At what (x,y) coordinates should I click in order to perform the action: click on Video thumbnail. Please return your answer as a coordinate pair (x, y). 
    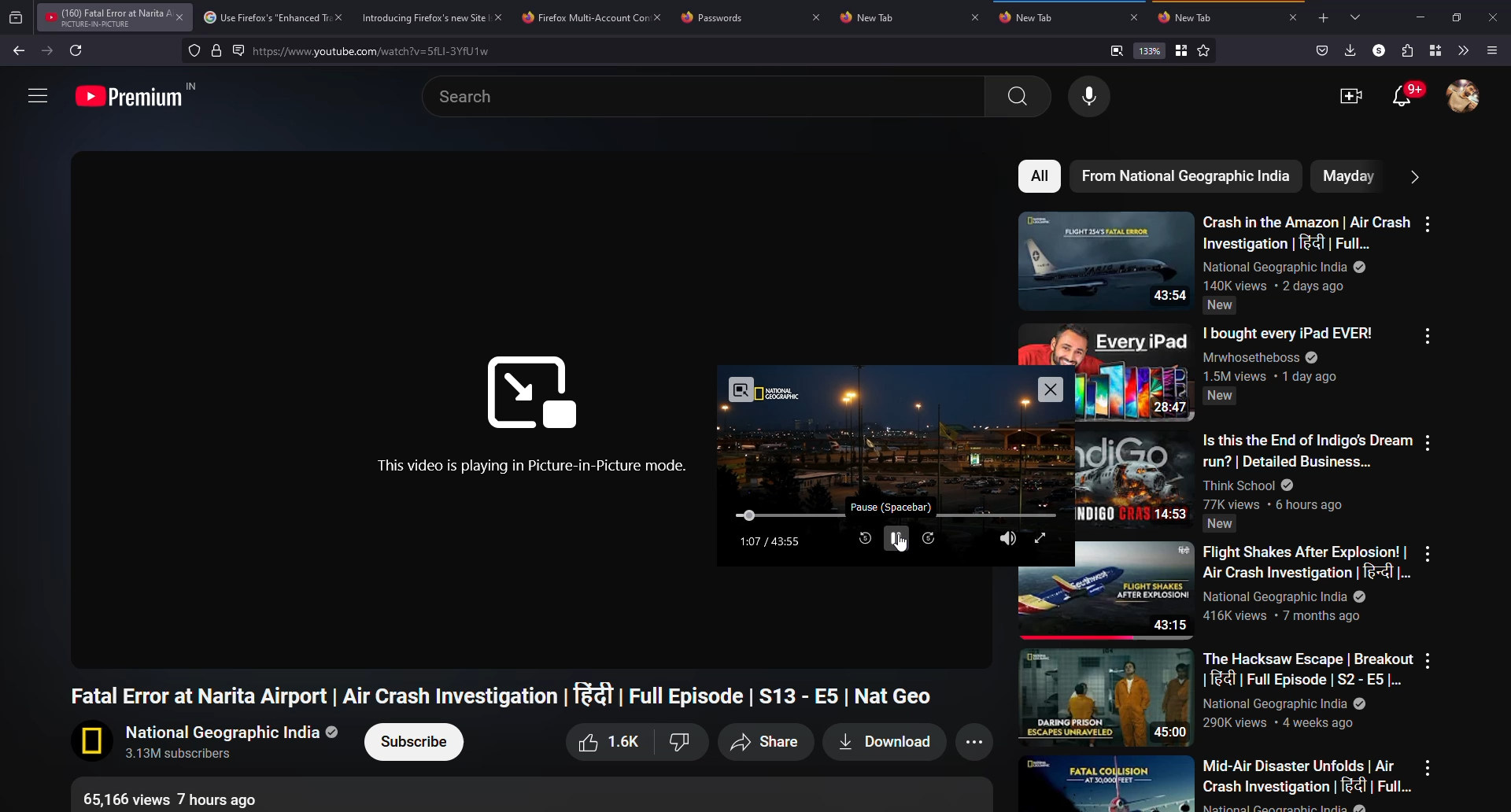
    Looking at the image, I should click on (1106, 698).